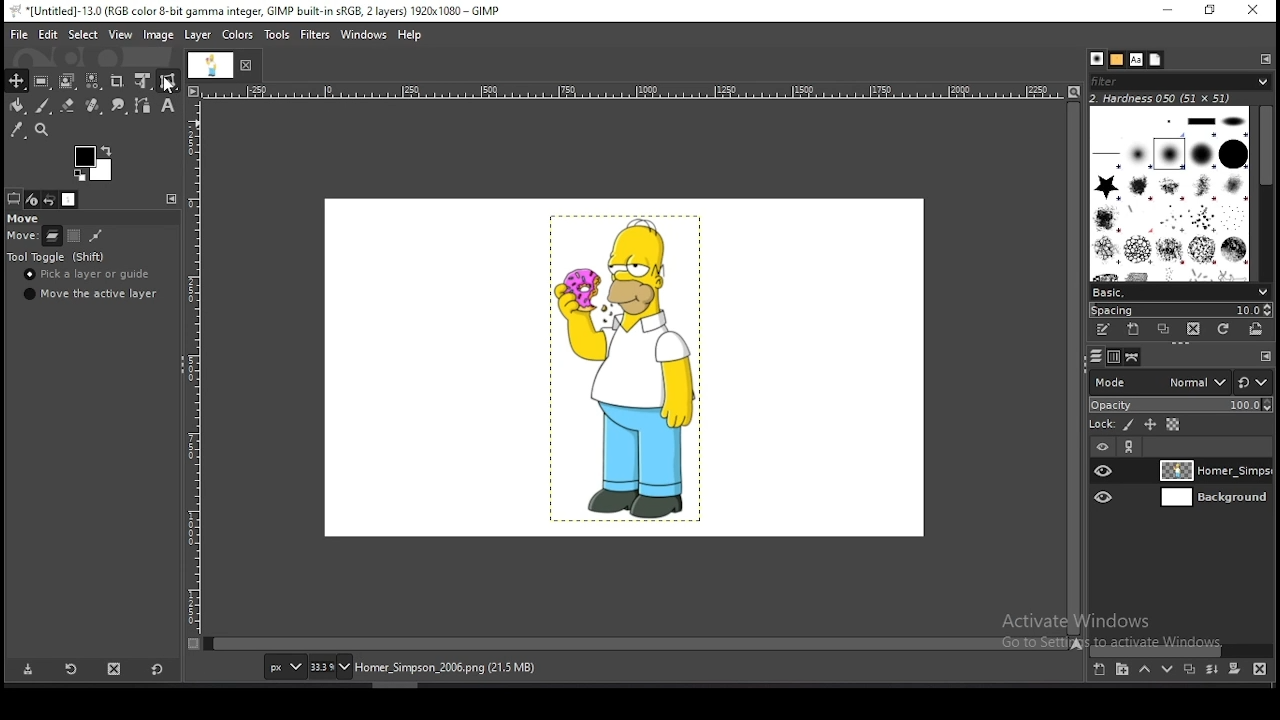 The width and height of the screenshot is (1280, 720). What do you see at coordinates (42, 81) in the screenshot?
I see `rectangle select tool` at bounding box center [42, 81].